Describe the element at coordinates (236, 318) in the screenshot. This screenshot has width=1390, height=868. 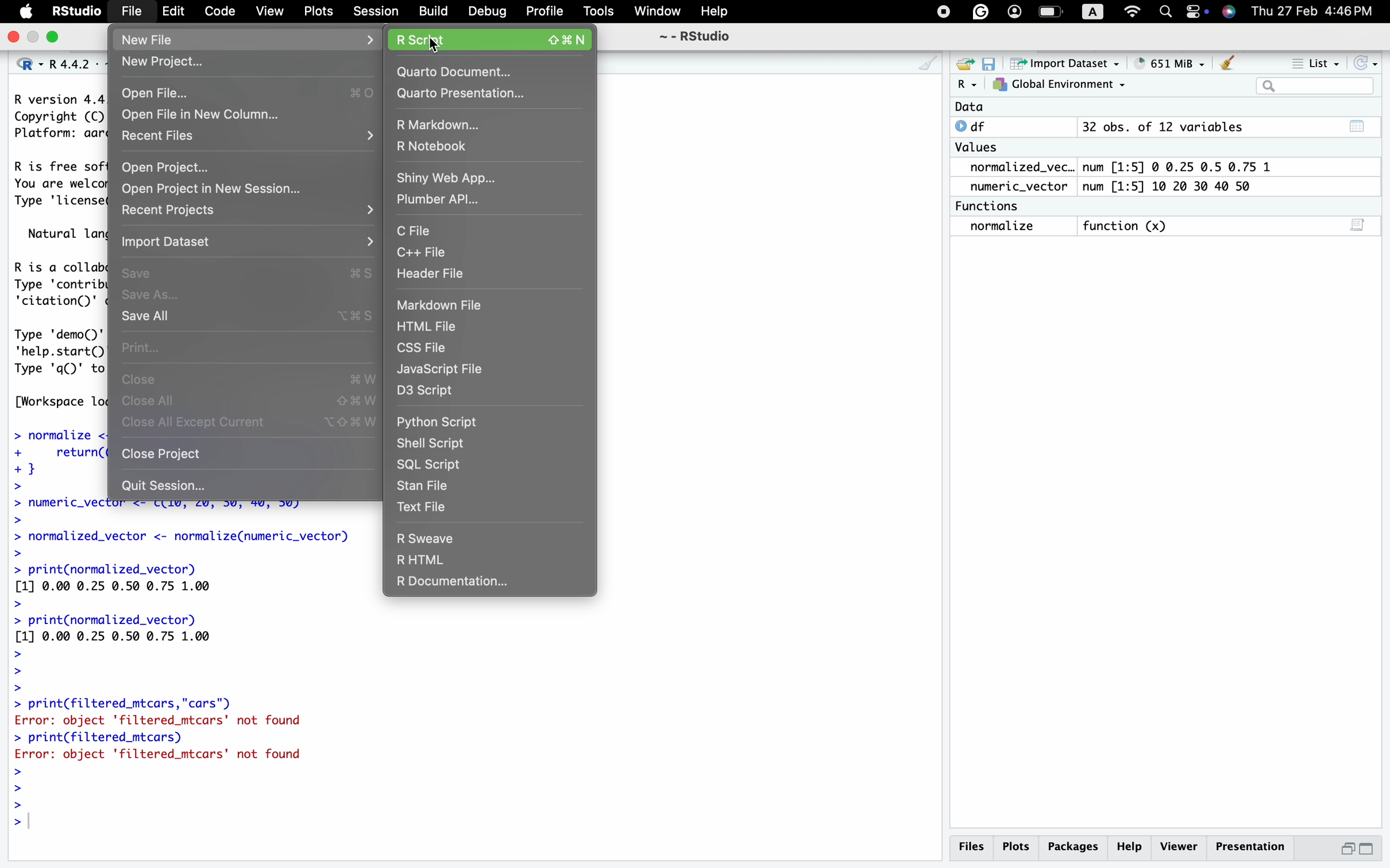
I see `Save All` at that location.